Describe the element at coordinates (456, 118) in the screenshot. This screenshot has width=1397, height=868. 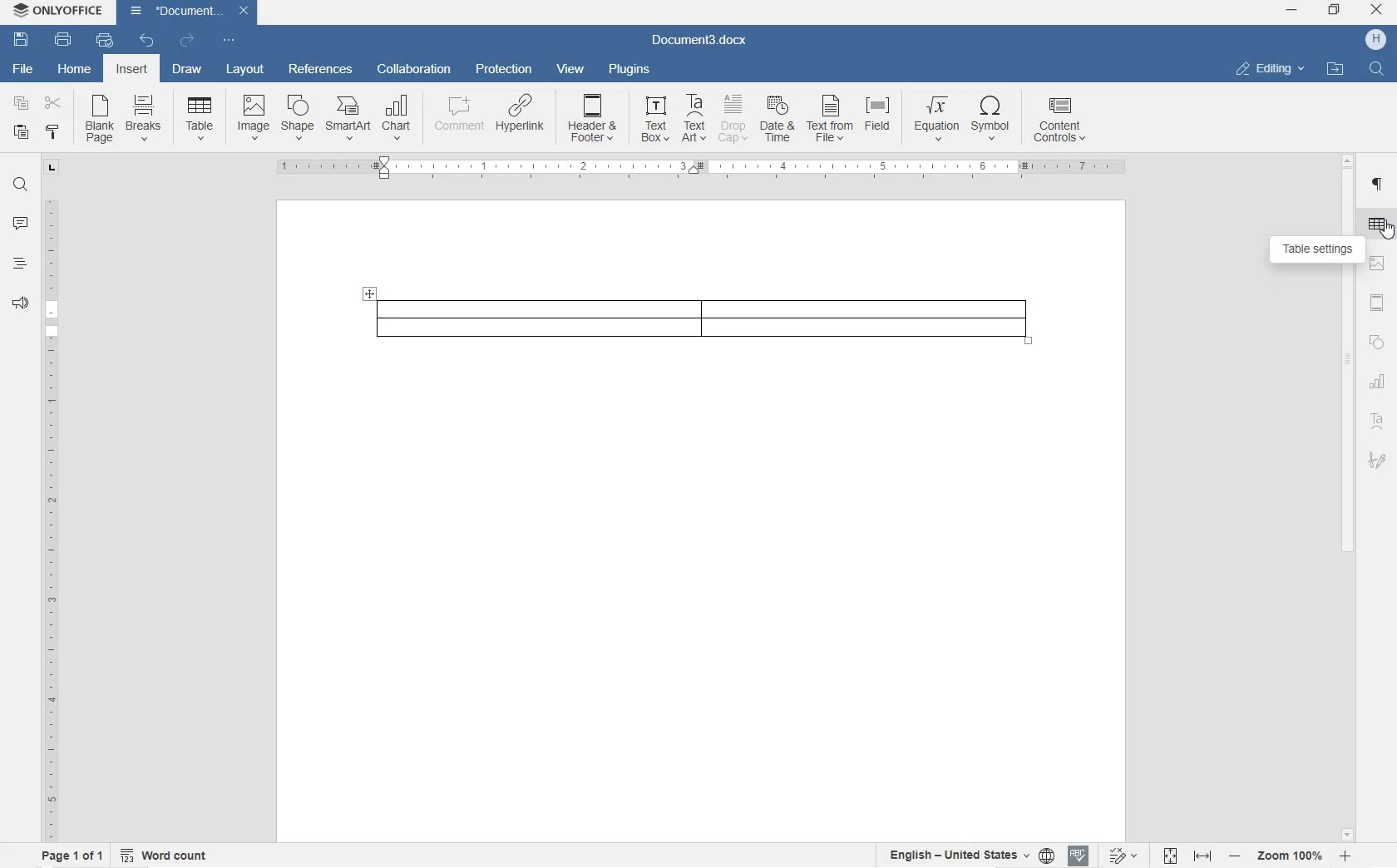
I see `comment` at that location.